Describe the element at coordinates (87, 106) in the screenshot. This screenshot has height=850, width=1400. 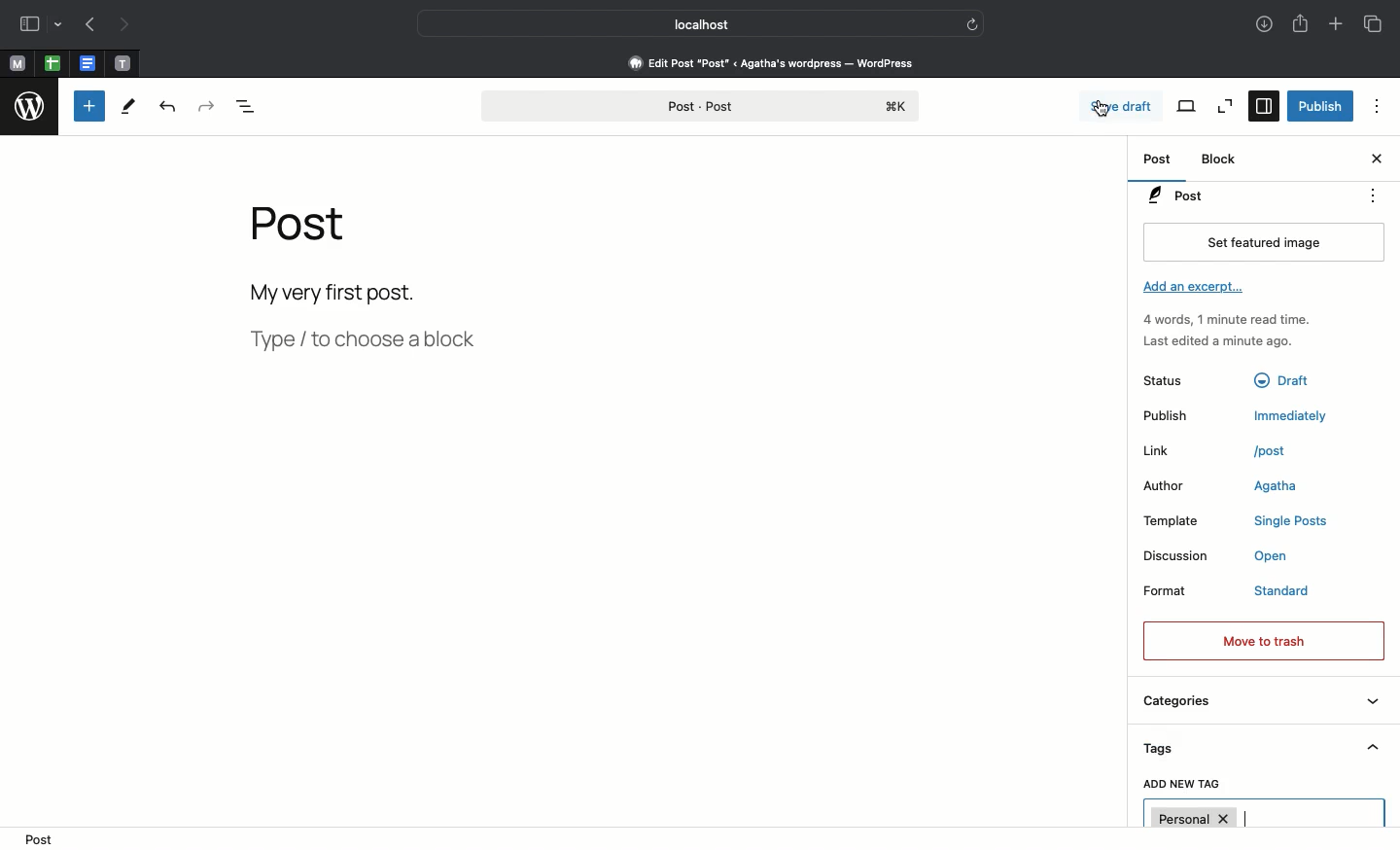
I see `Toggle block inserter` at that location.